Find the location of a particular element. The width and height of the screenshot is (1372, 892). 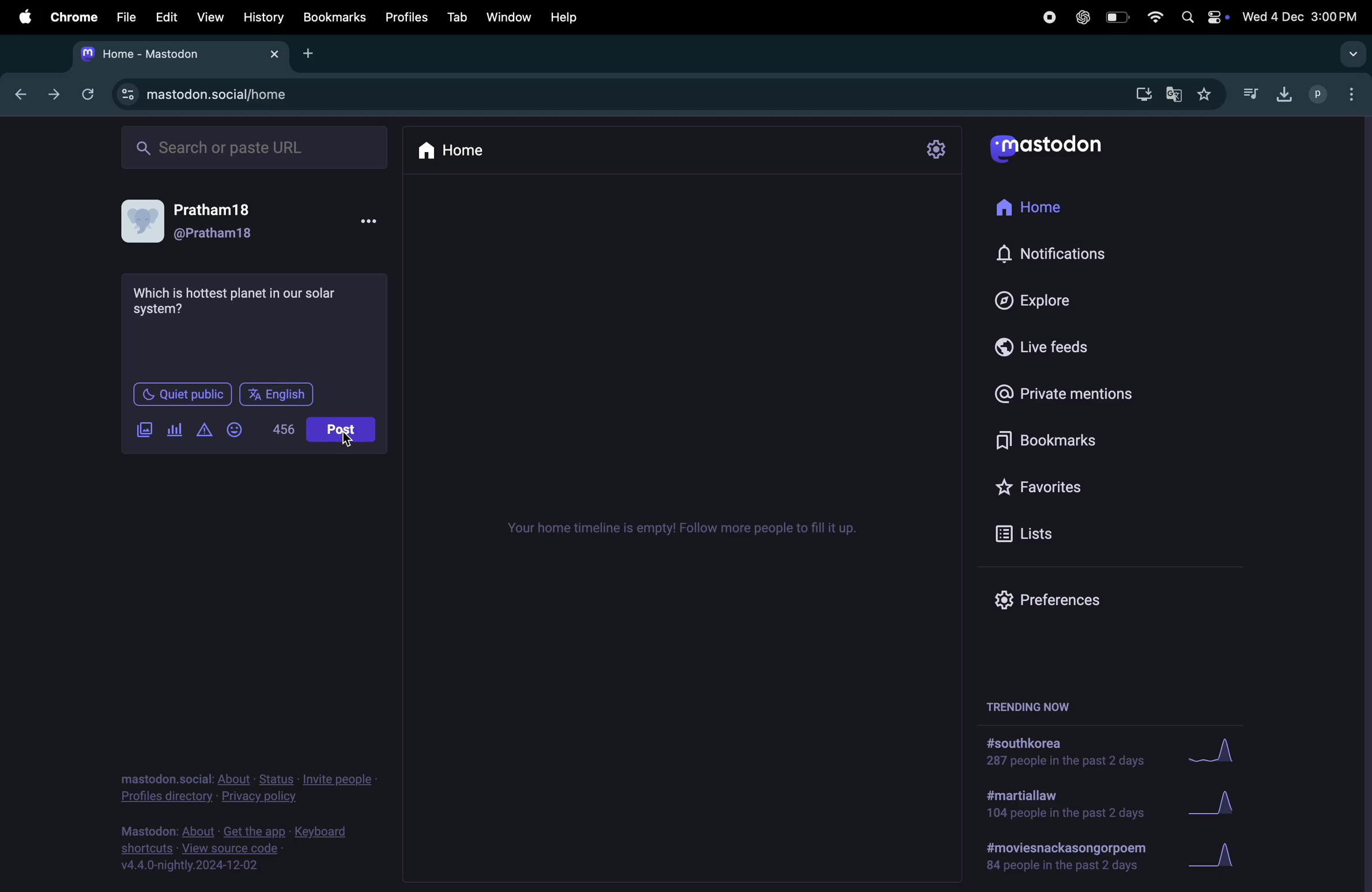

Quiet public is located at coordinates (180, 394).